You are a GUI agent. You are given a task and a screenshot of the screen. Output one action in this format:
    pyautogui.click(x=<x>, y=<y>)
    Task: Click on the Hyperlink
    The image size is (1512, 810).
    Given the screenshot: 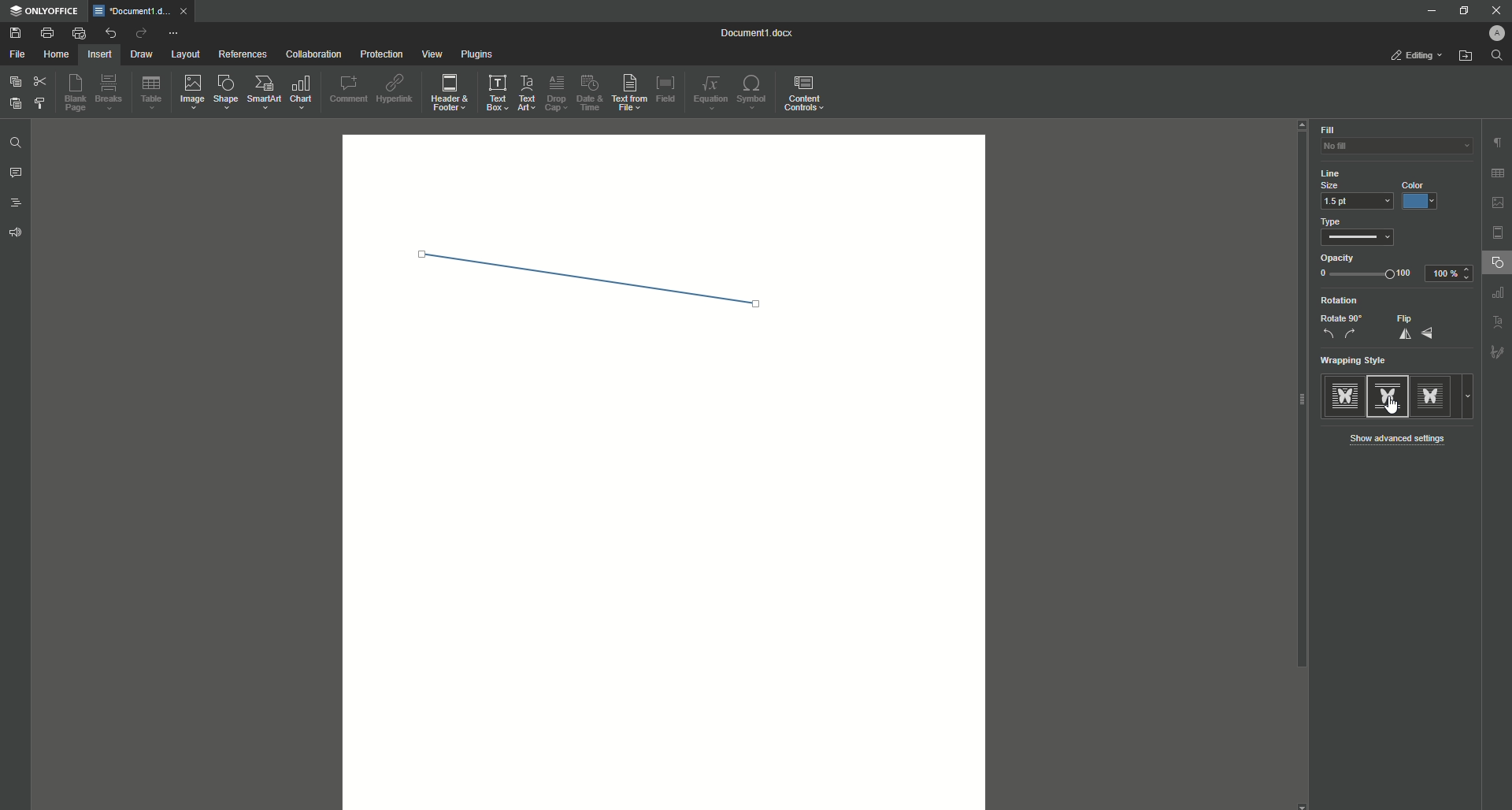 What is the action you would take?
    pyautogui.click(x=396, y=90)
    